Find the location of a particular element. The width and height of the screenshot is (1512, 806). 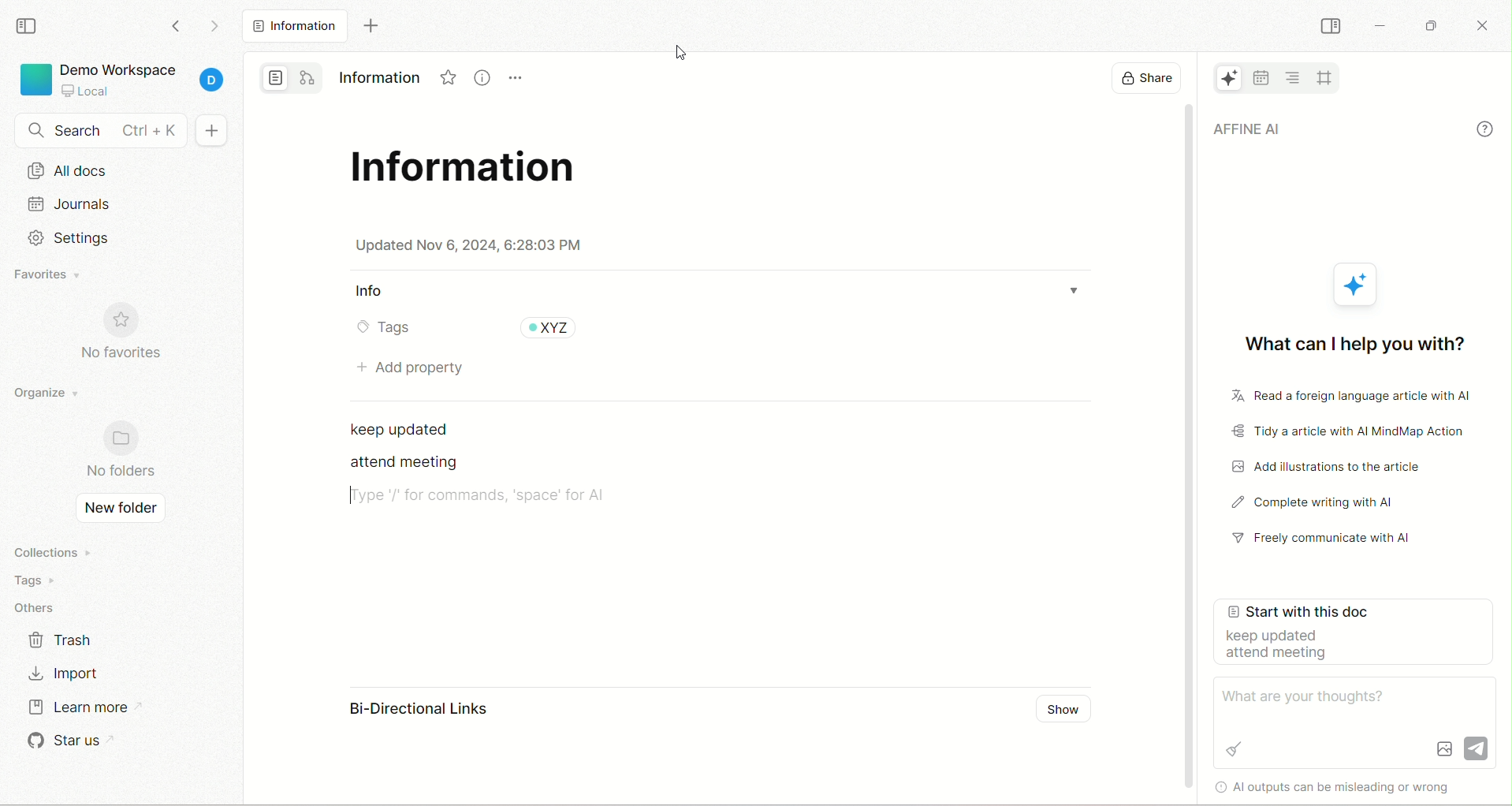

start with this doc is located at coordinates (1357, 638).